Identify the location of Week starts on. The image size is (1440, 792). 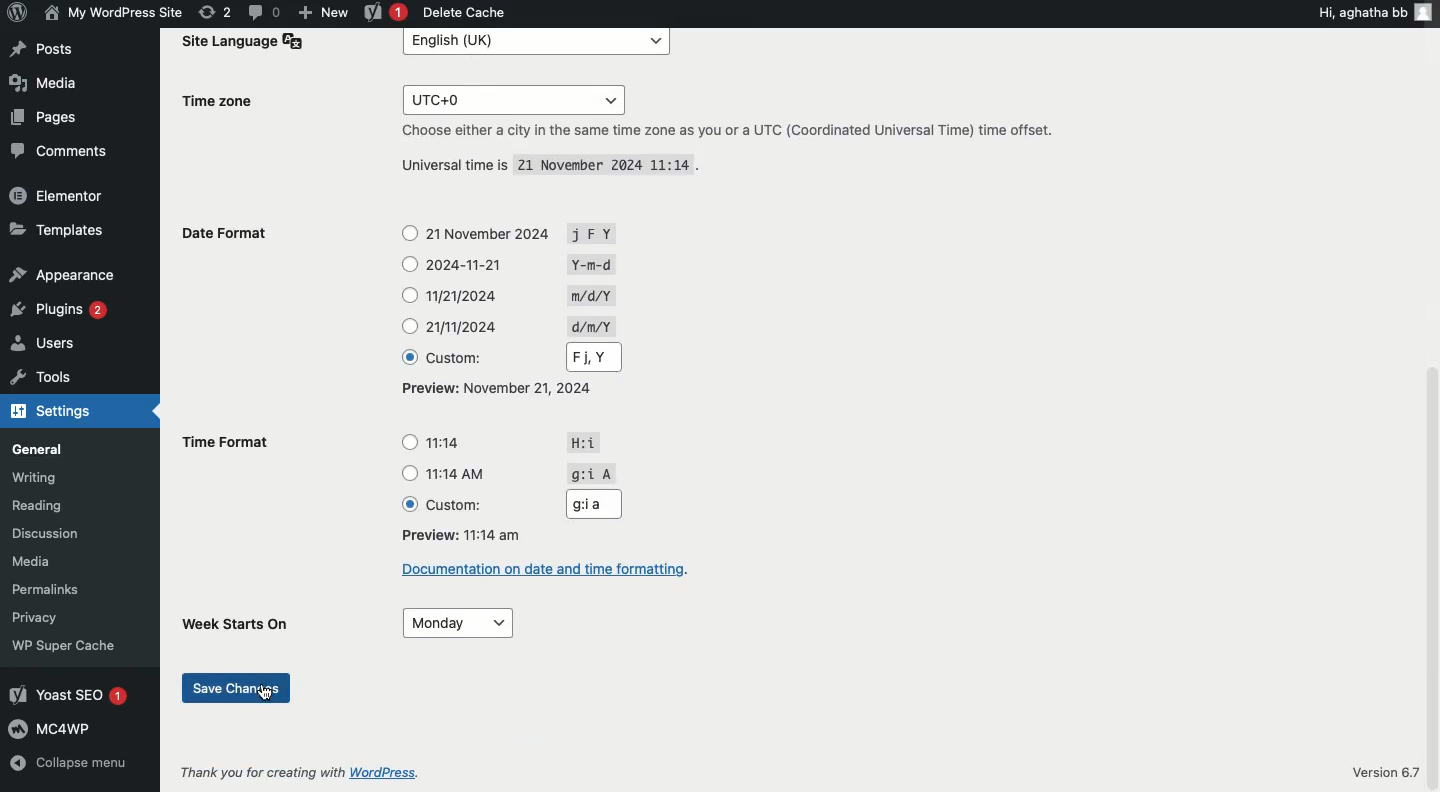
(242, 622).